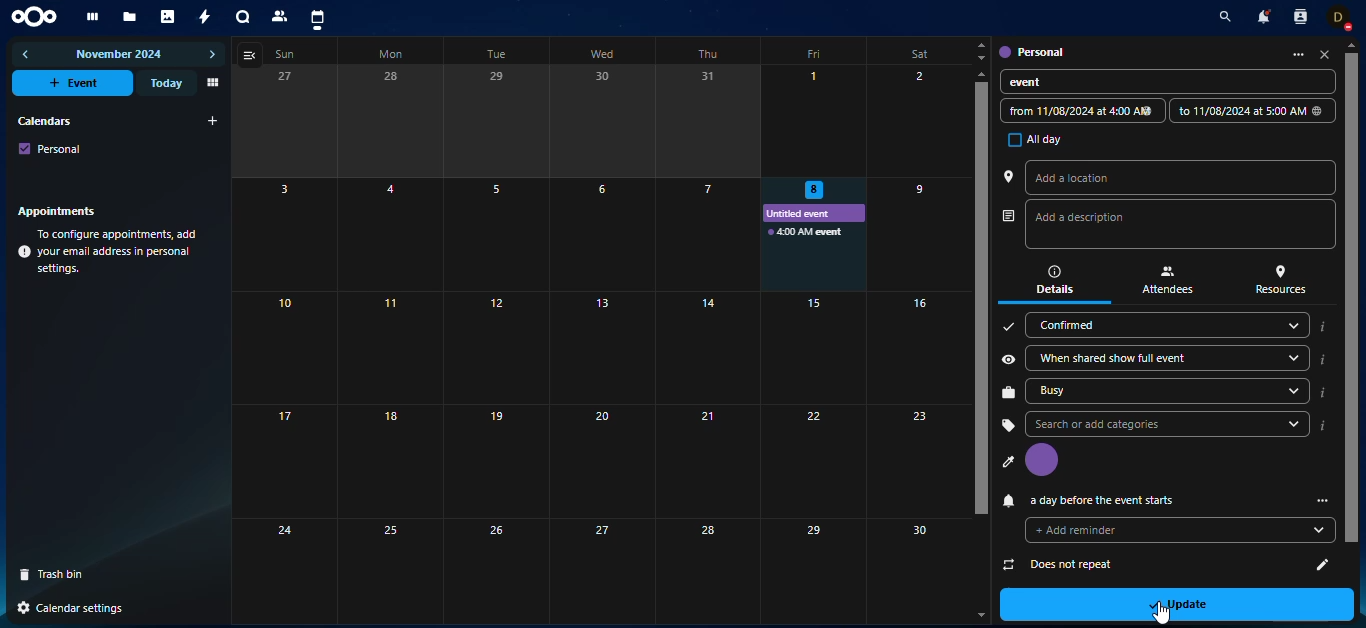  I want to click on 31, so click(709, 121).